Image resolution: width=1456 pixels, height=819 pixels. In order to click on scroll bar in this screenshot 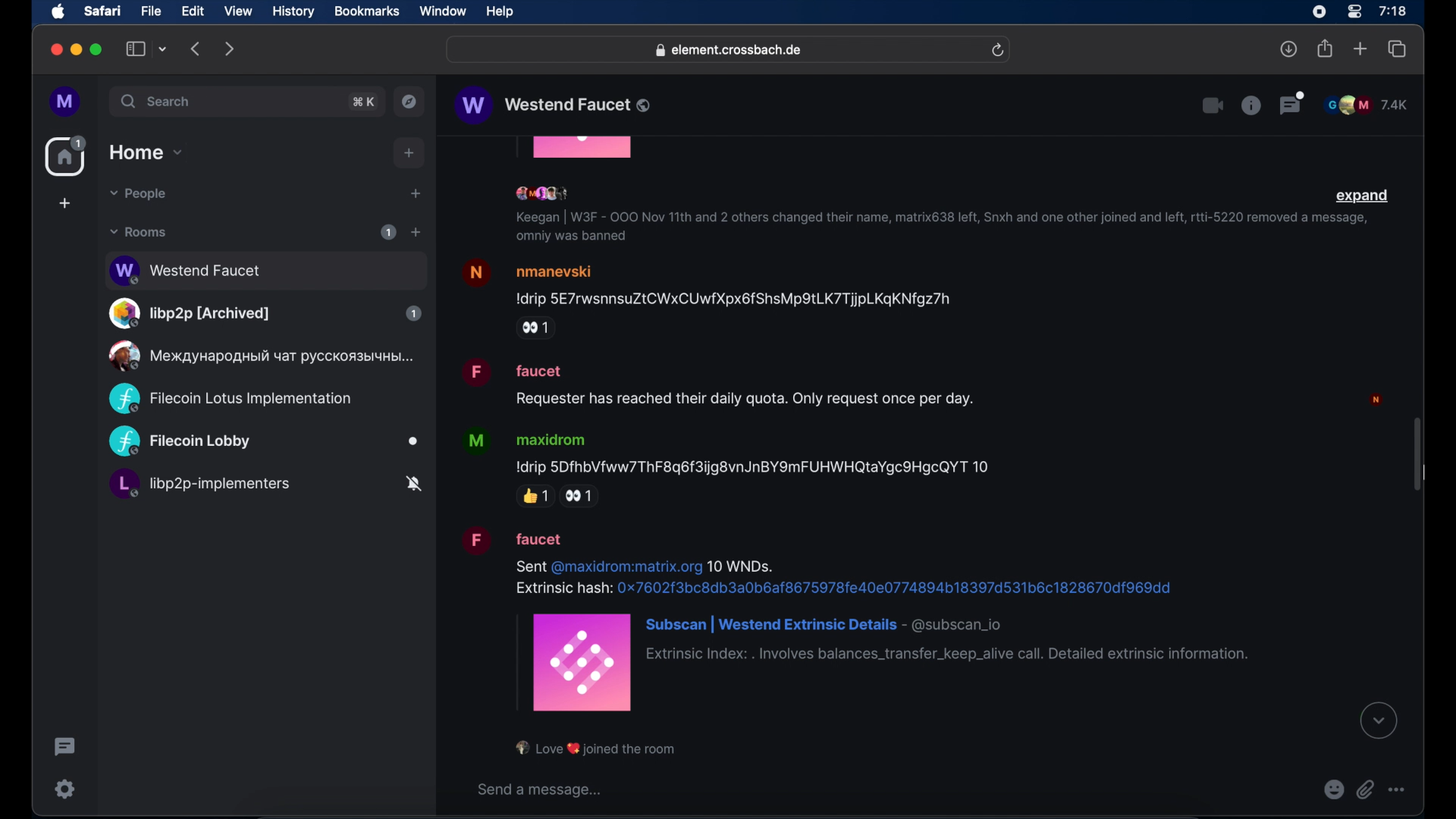, I will do `click(1417, 456)`.